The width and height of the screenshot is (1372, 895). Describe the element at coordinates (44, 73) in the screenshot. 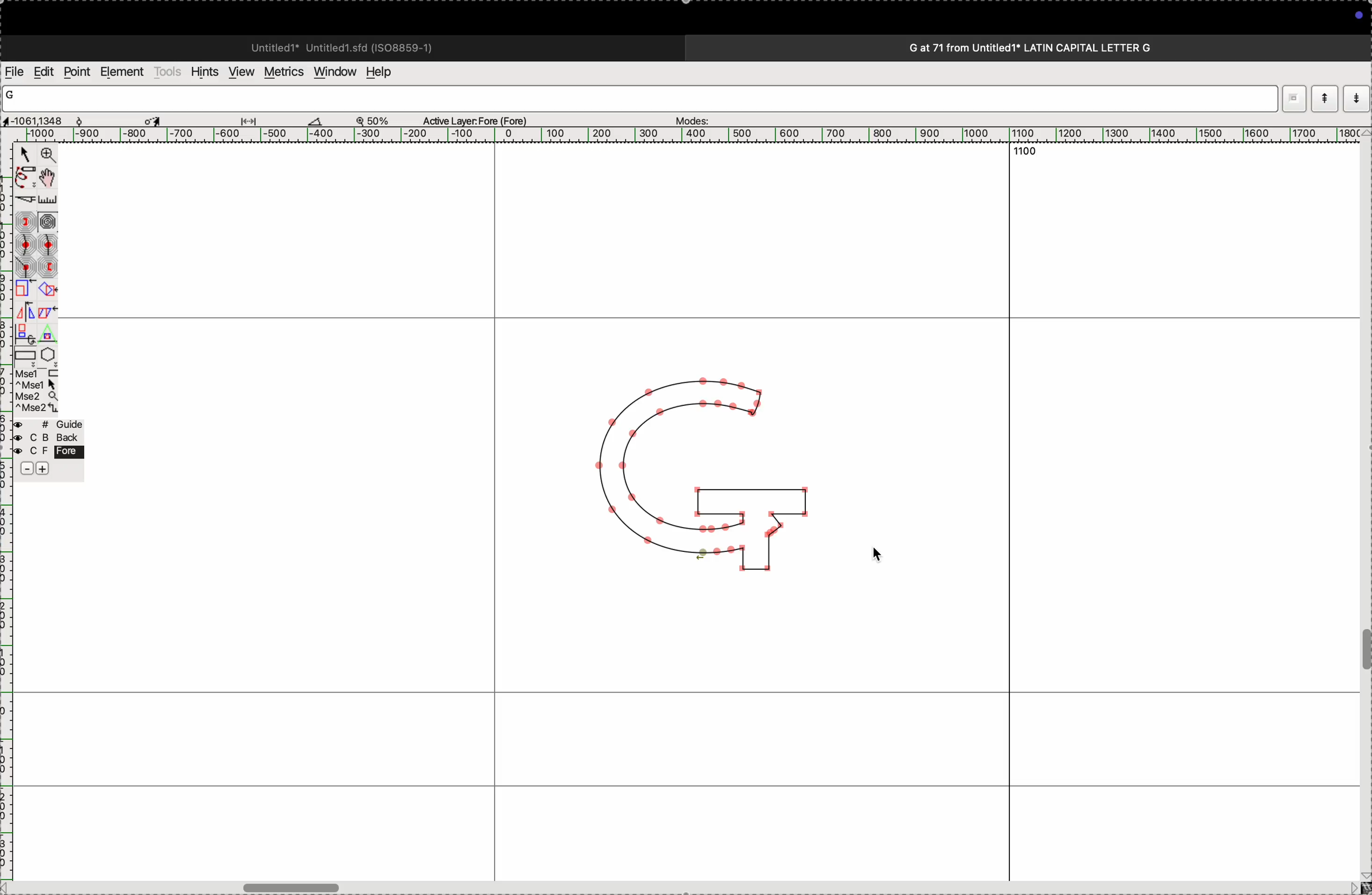

I see `edits` at that location.